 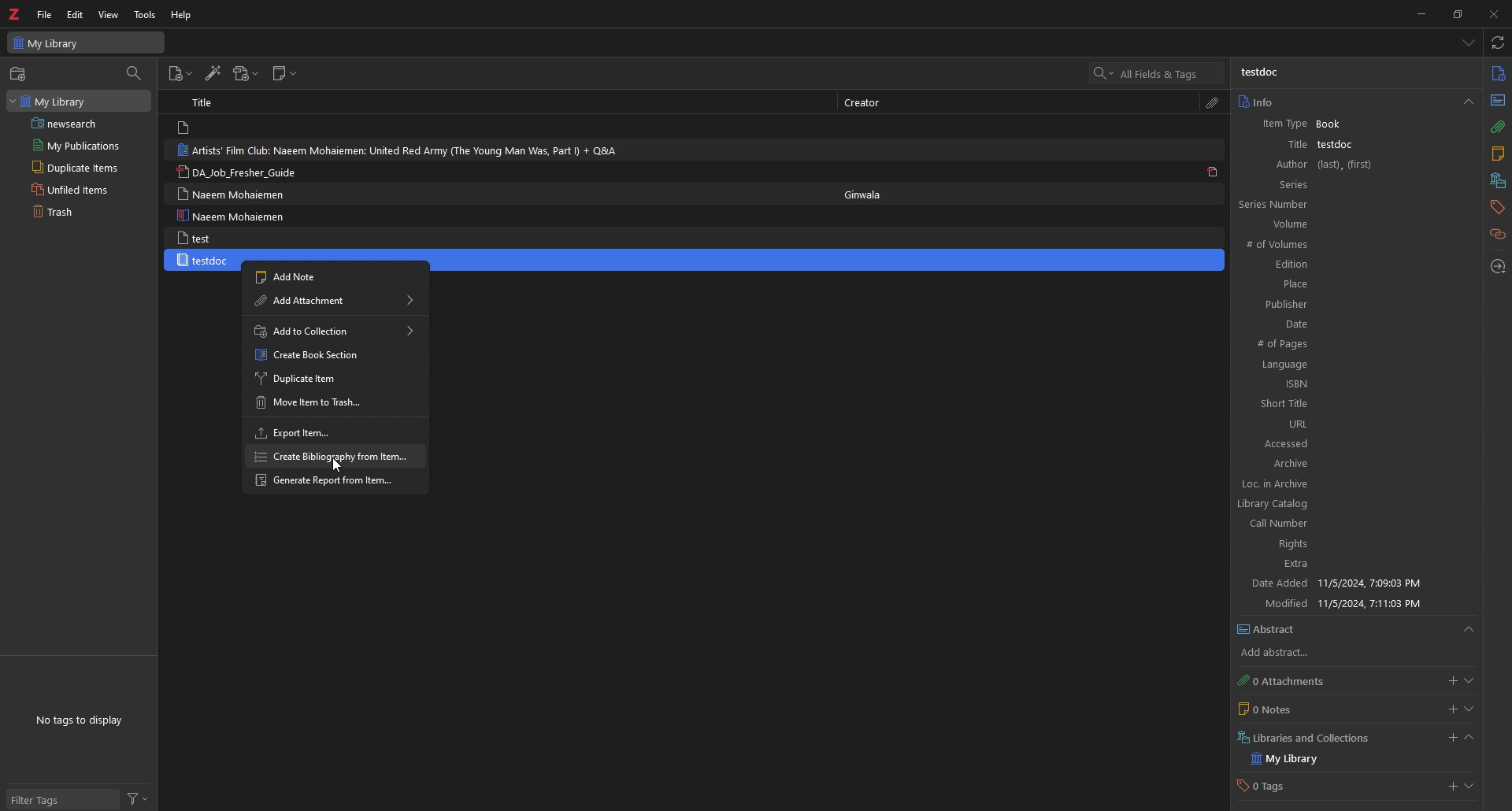 I want to click on show, so click(x=1469, y=709).